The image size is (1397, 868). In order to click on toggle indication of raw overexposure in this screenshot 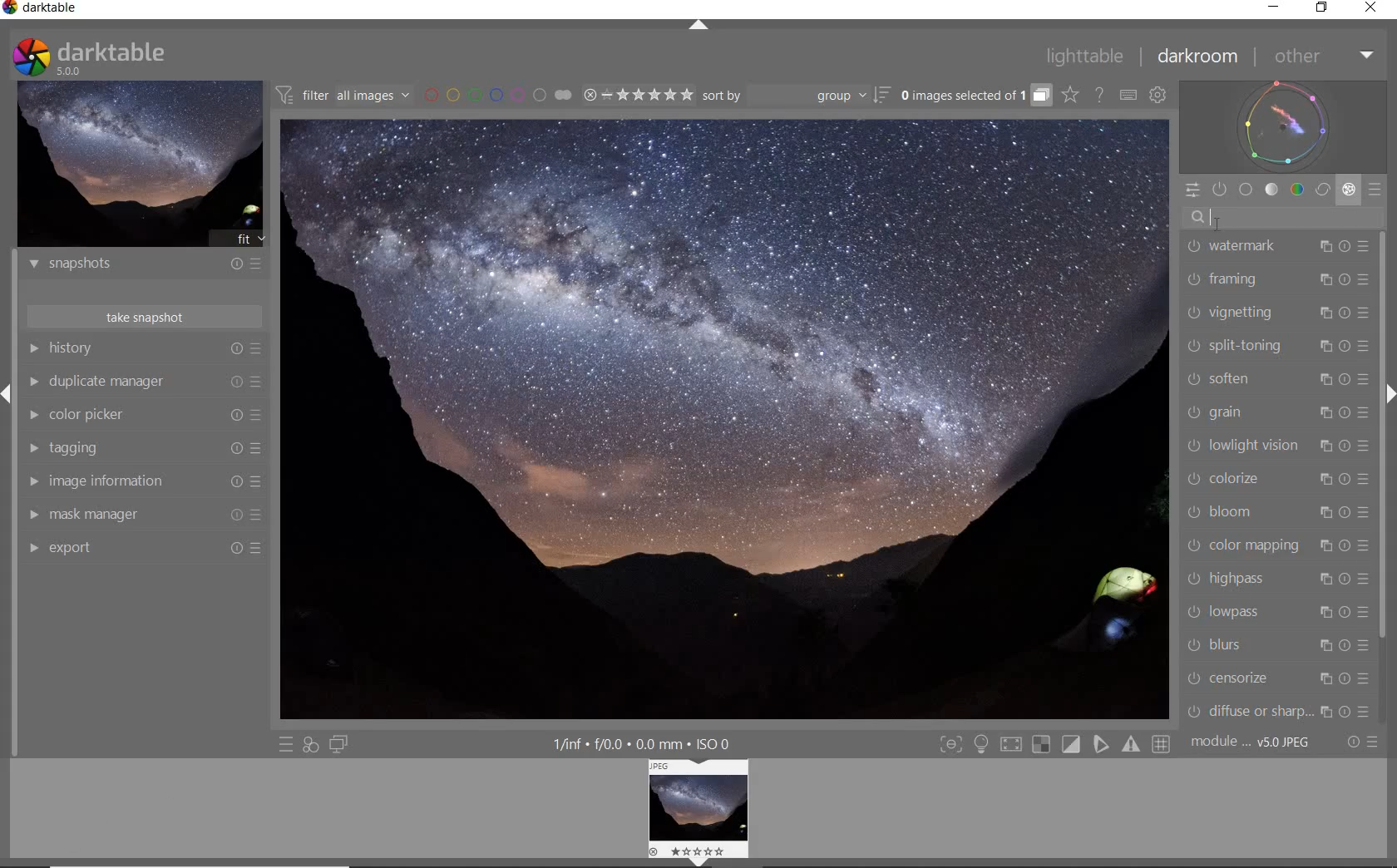, I will do `click(1044, 747)`.